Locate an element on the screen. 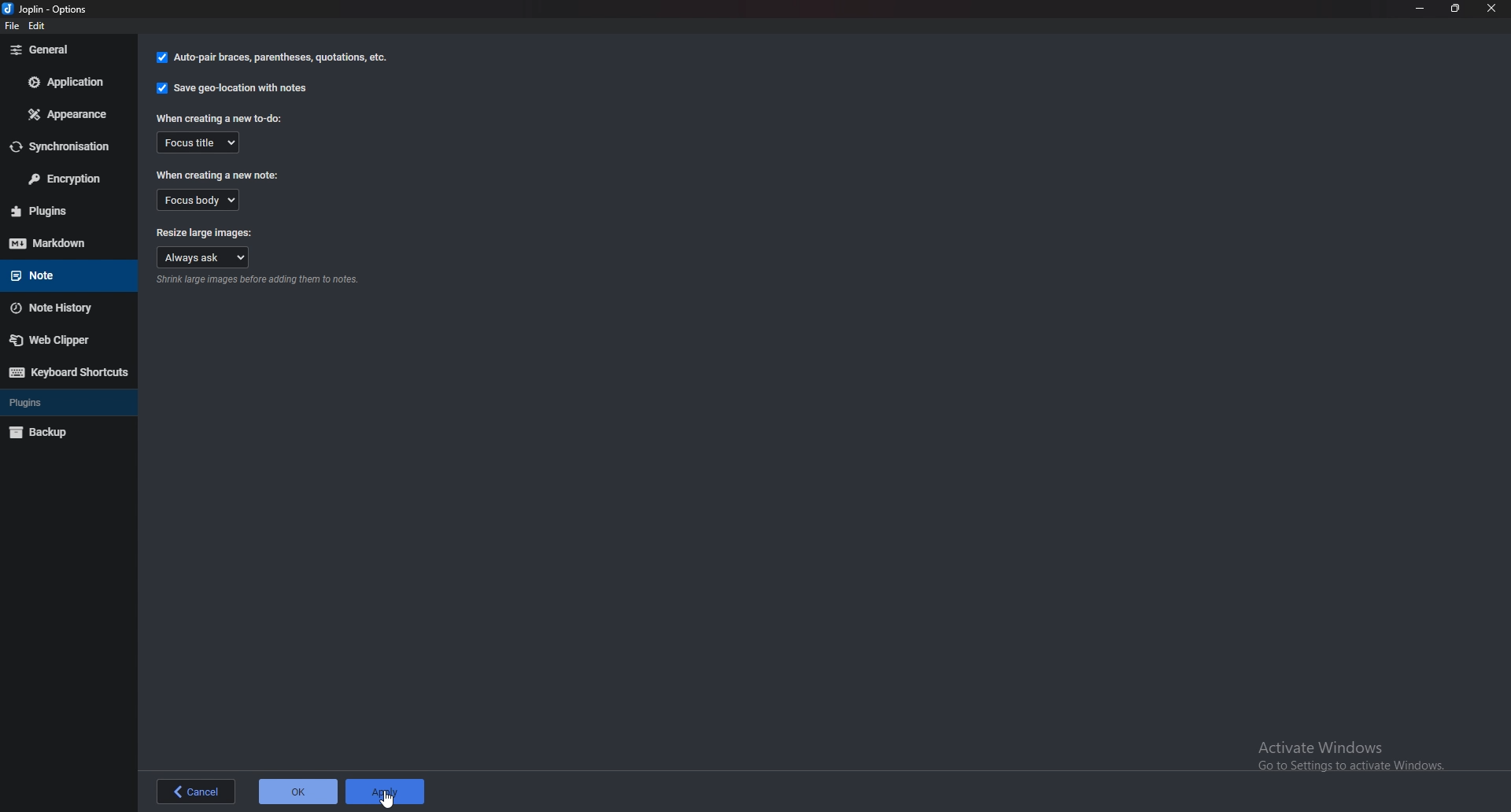  Note history is located at coordinates (65, 309).